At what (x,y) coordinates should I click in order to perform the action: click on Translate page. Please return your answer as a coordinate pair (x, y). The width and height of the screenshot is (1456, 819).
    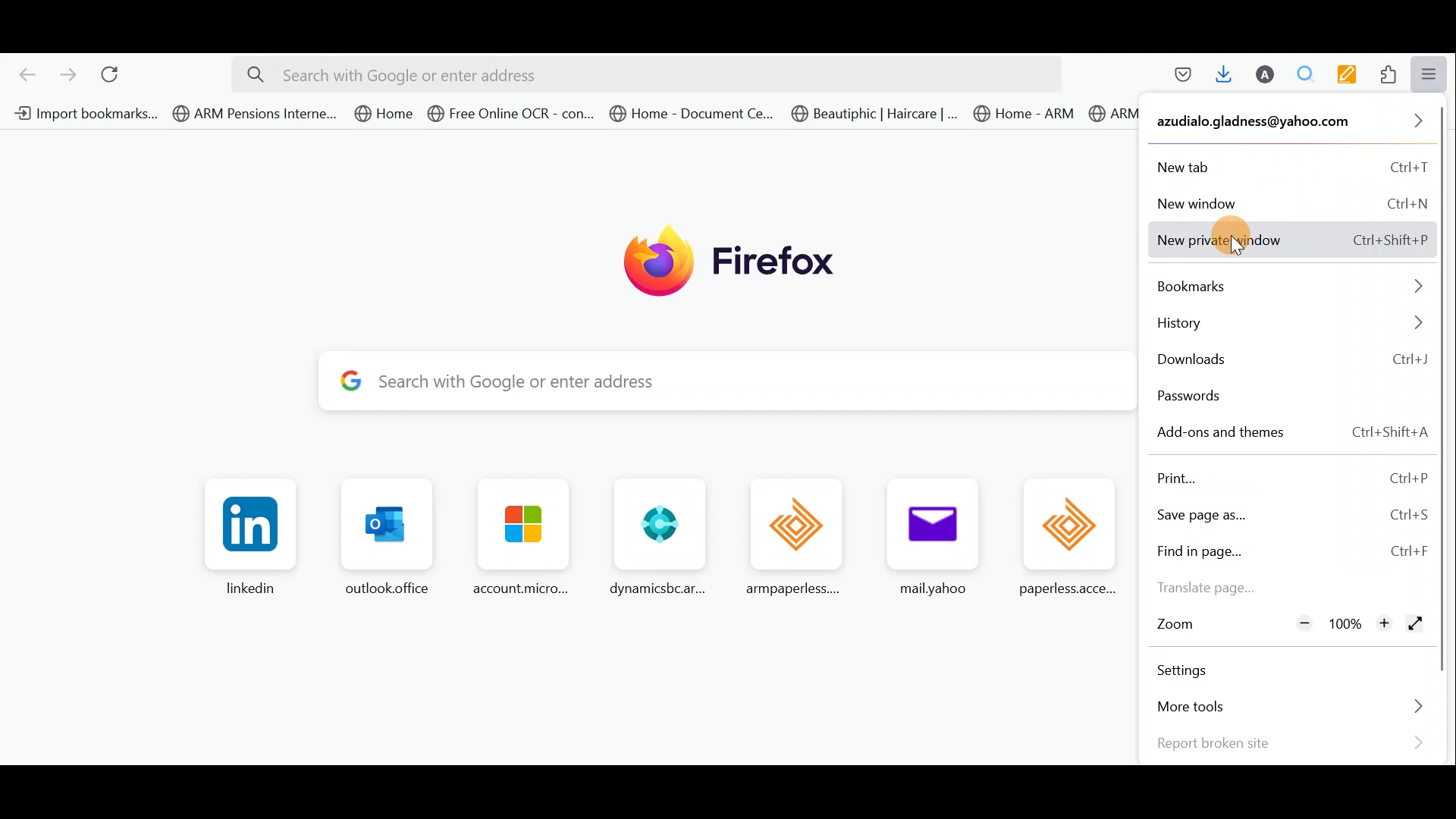
    Looking at the image, I should click on (1222, 587).